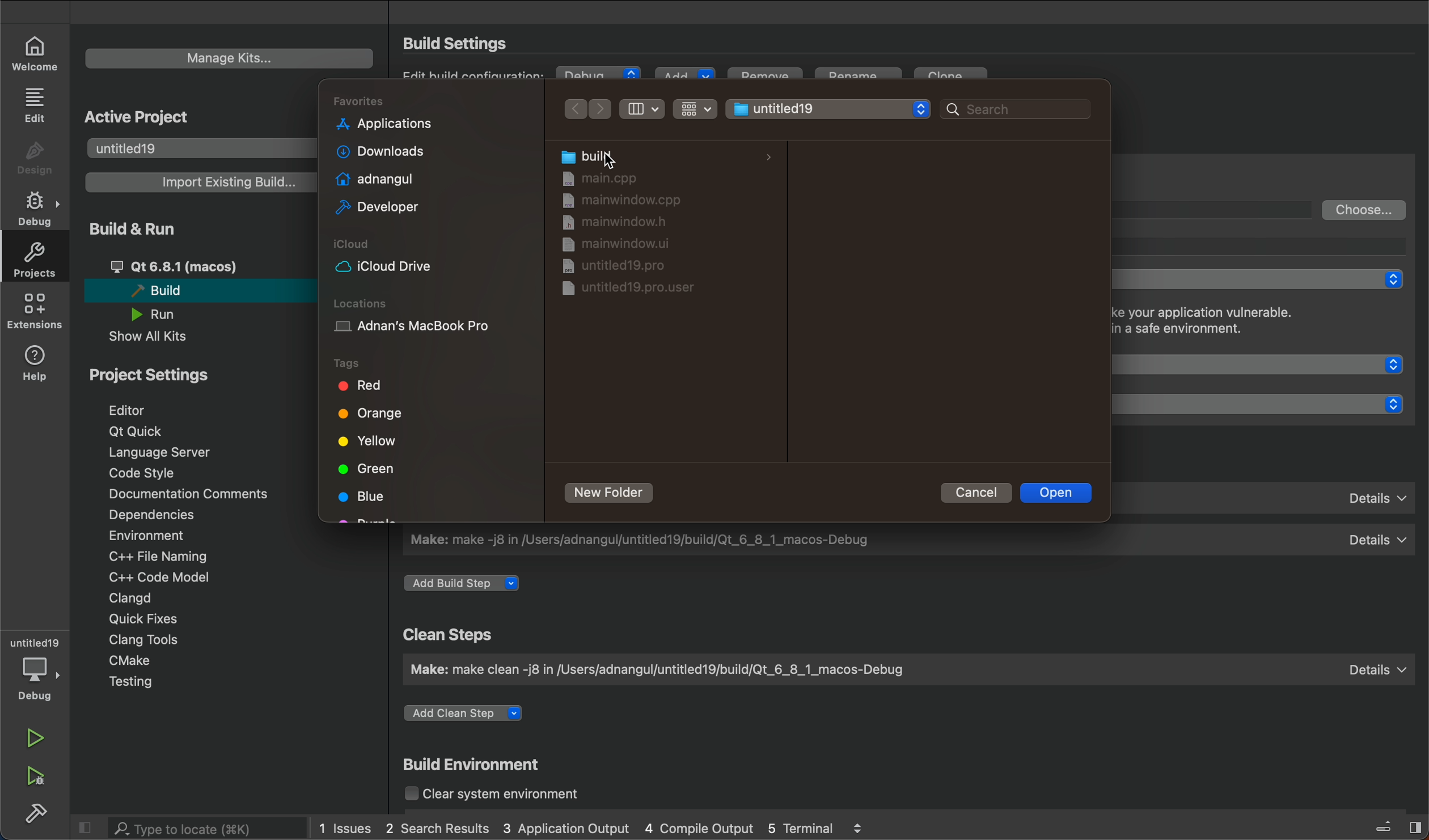 Image resolution: width=1429 pixels, height=840 pixels. What do you see at coordinates (477, 766) in the screenshot?
I see `build environment ` at bounding box center [477, 766].